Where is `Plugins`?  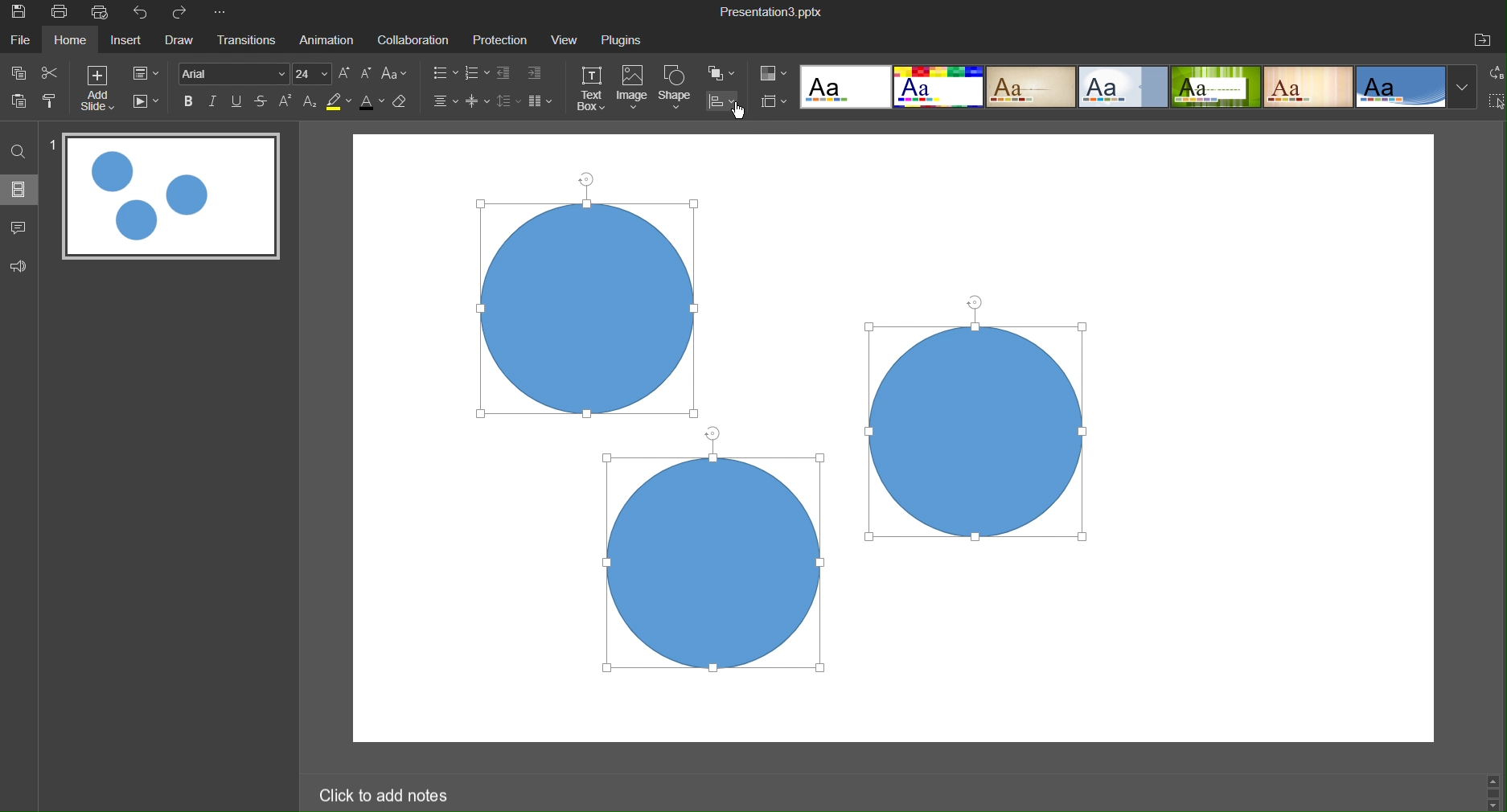 Plugins is located at coordinates (628, 39).